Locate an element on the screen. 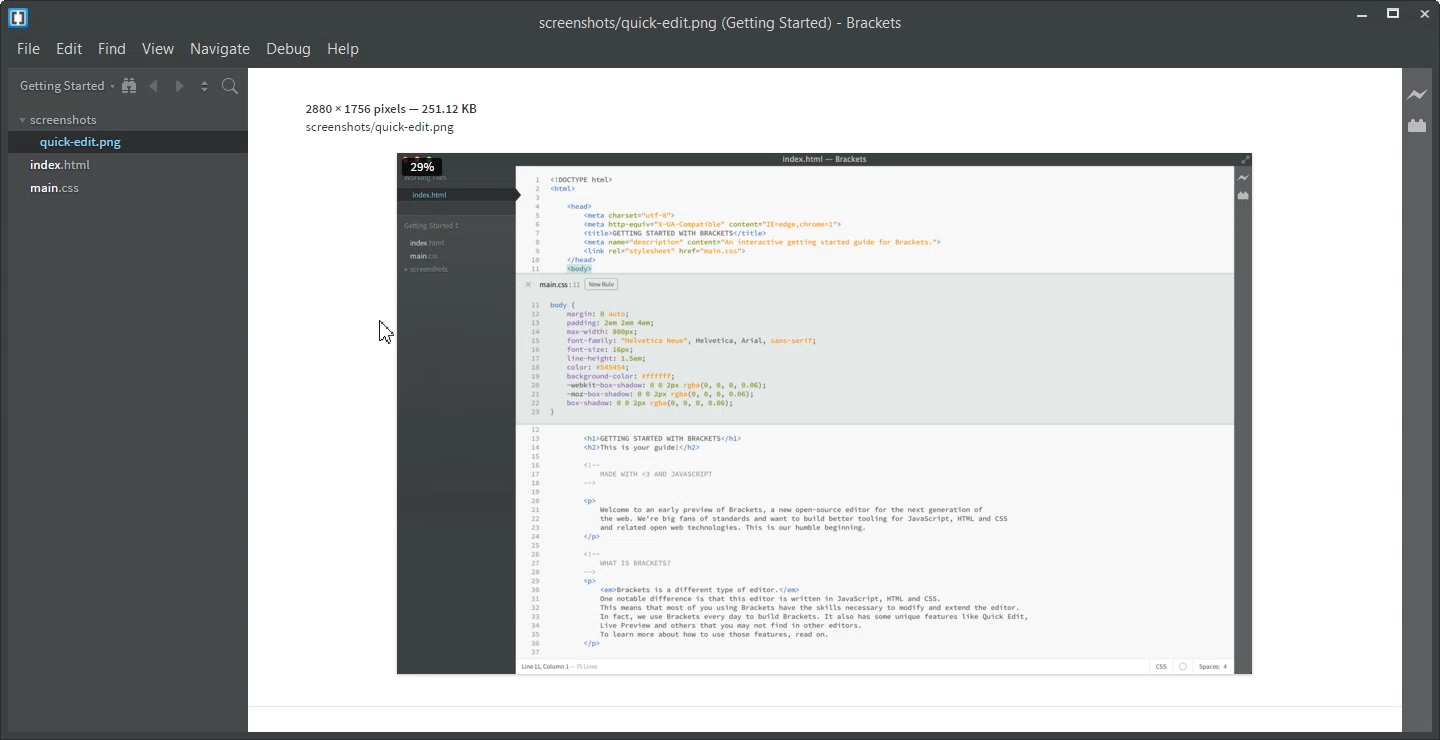 Image resolution: width=1440 pixels, height=740 pixels. Navigate is located at coordinates (221, 49).